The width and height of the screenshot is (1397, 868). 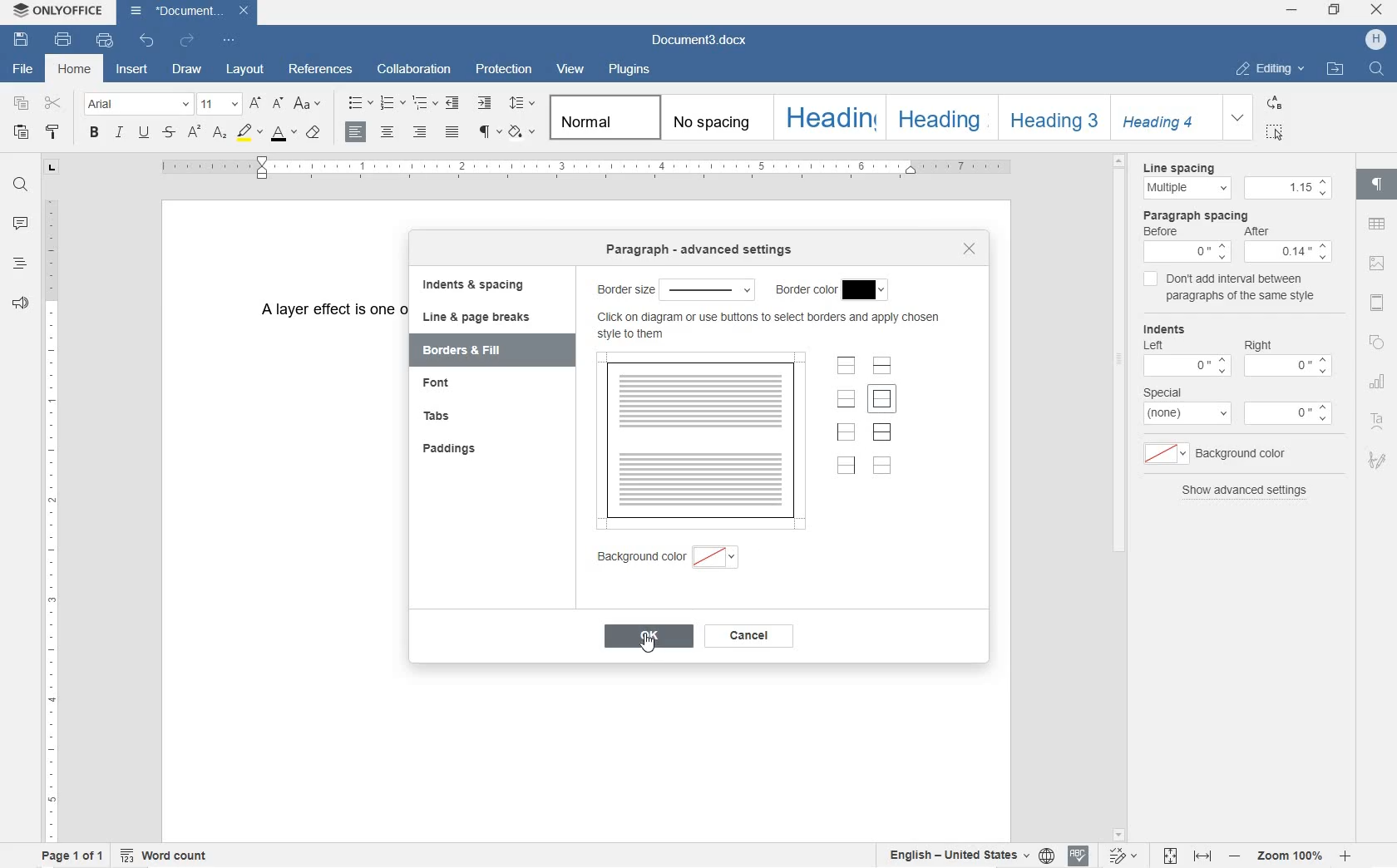 I want to click on set bottom border only, so click(x=847, y=398).